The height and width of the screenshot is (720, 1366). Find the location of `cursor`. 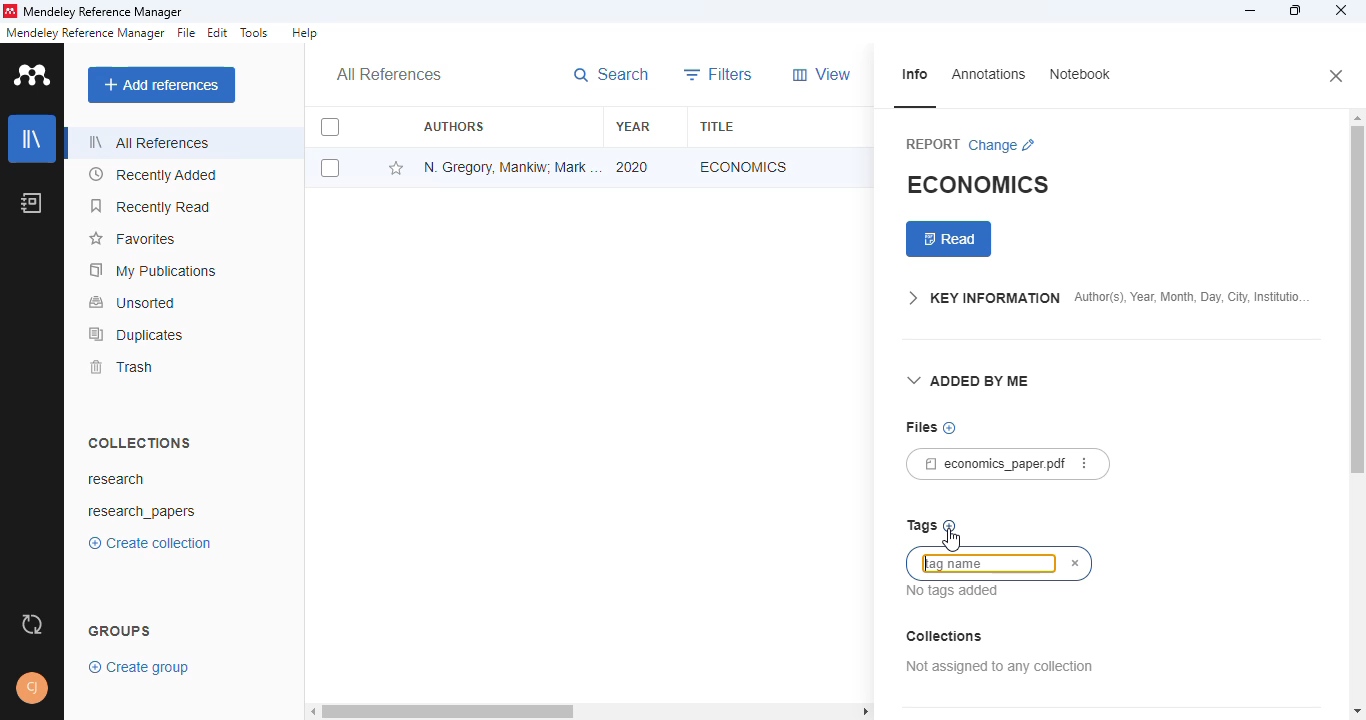

cursor is located at coordinates (950, 539).